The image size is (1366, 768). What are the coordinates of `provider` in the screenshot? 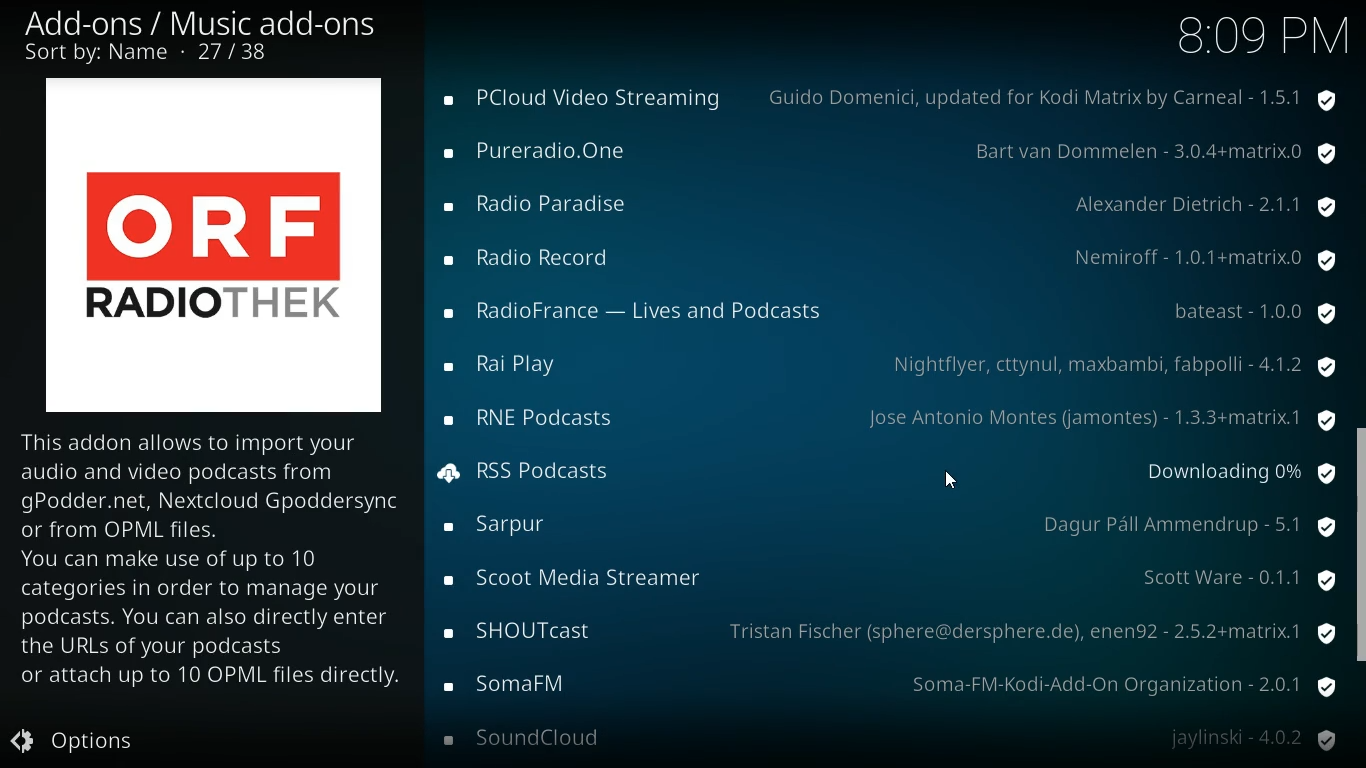 It's located at (1096, 419).